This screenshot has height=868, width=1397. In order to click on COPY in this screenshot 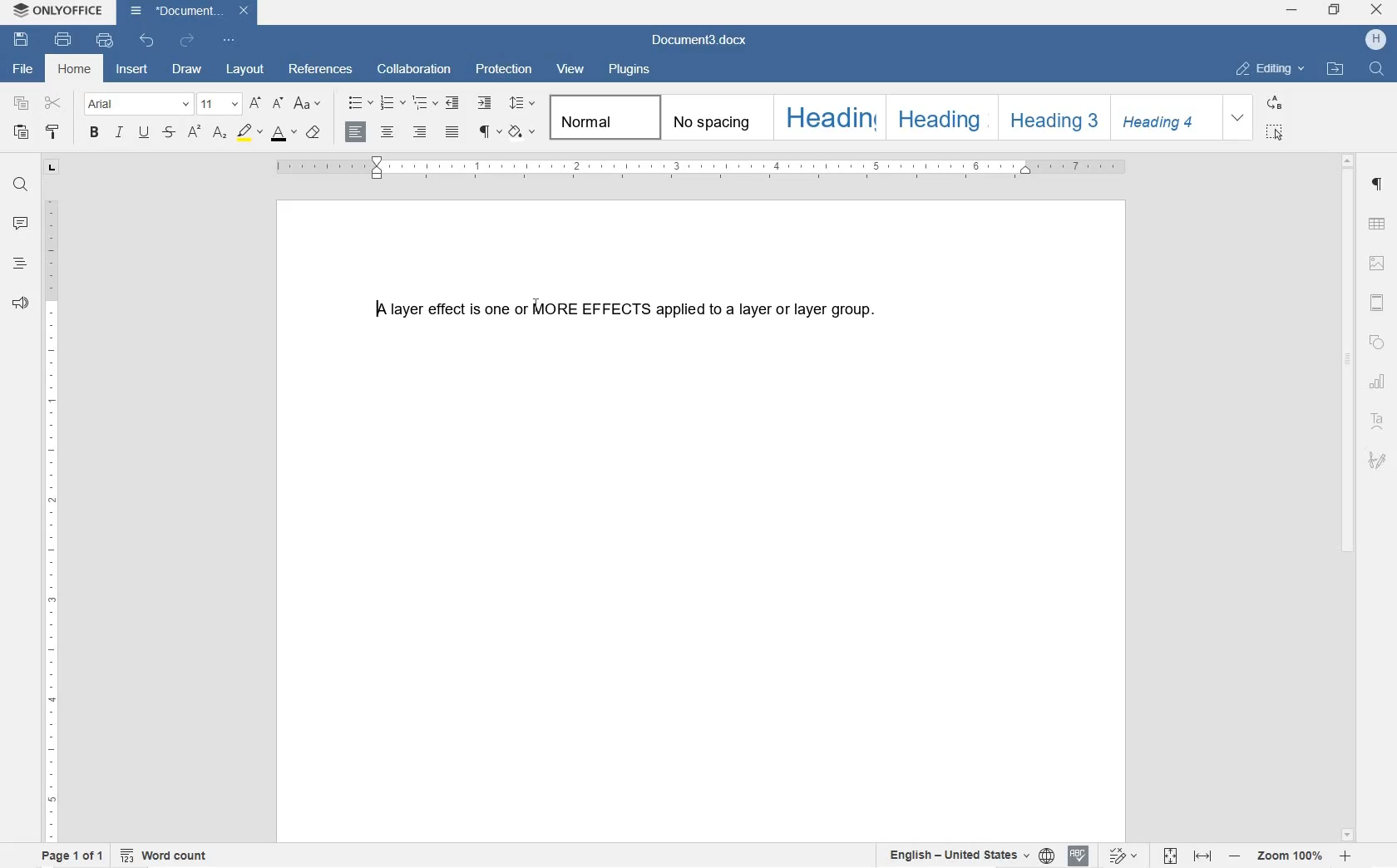, I will do `click(23, 104)`.